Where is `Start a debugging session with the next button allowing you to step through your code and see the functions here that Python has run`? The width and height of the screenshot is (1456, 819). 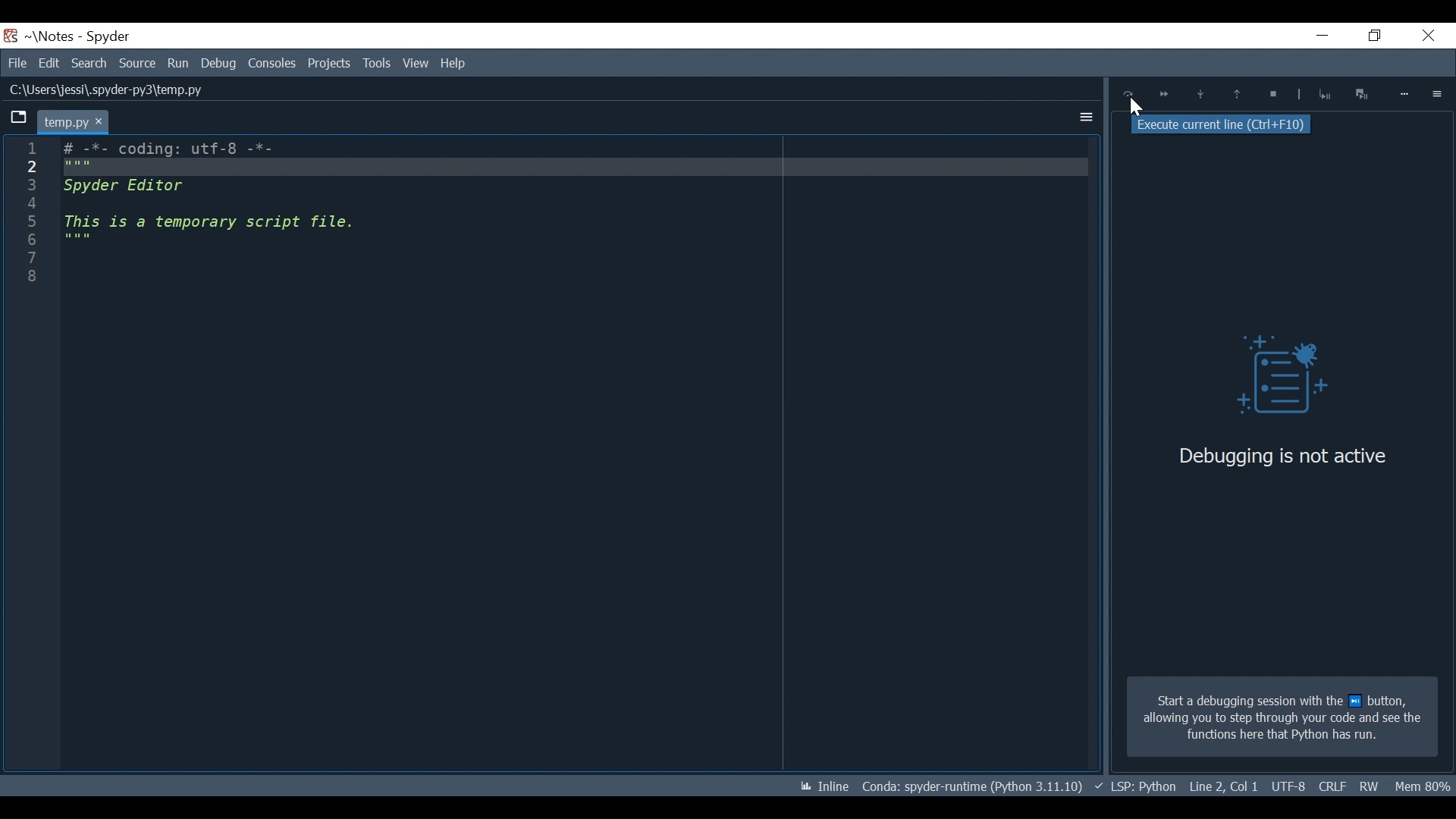
Start a debugging session with the next button allowing you to step through your code and see the functions here that Python has run is located at coordinates (1282, 717).